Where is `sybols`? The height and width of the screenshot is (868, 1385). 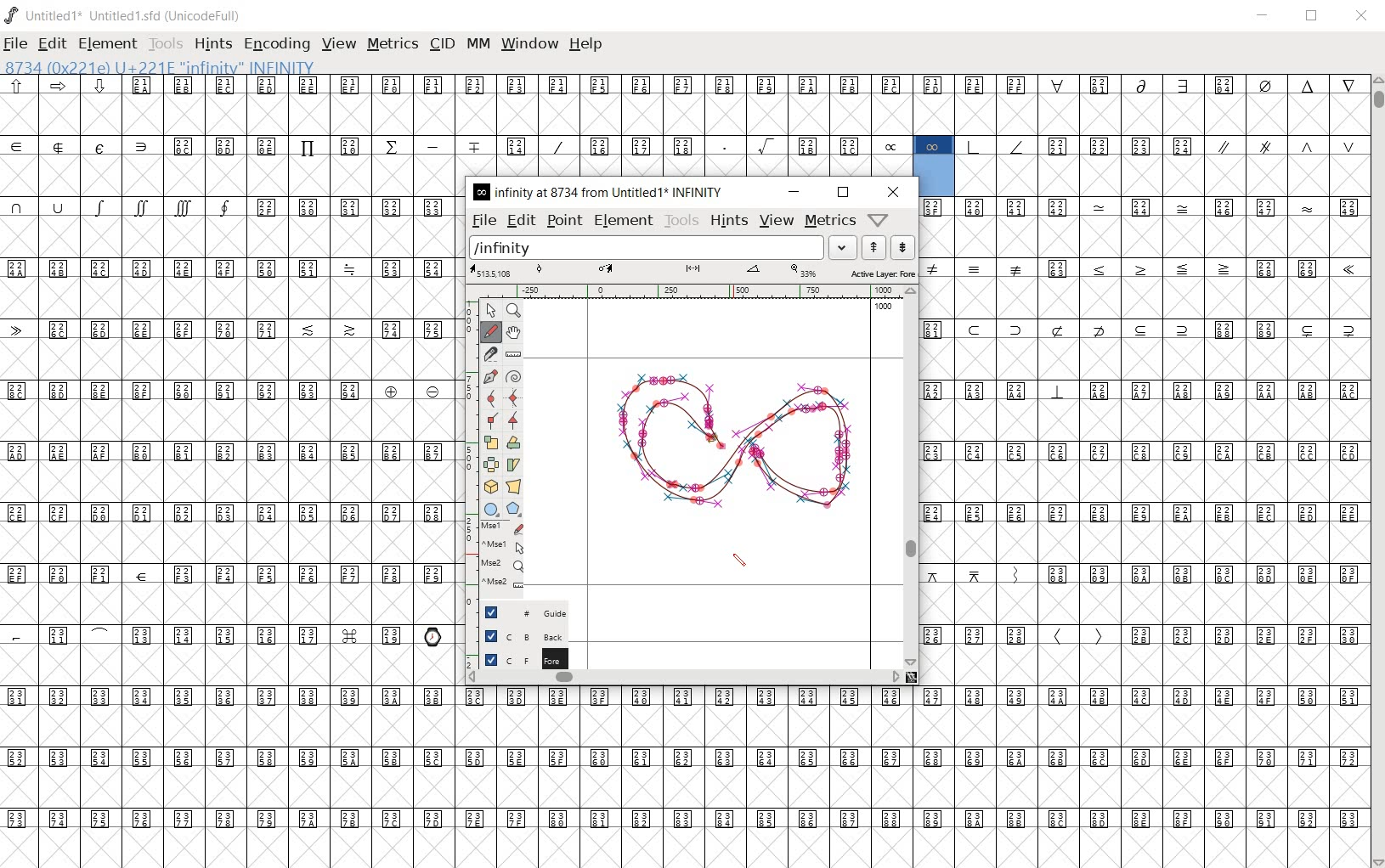
sybols is located at coordinates (65, 85).